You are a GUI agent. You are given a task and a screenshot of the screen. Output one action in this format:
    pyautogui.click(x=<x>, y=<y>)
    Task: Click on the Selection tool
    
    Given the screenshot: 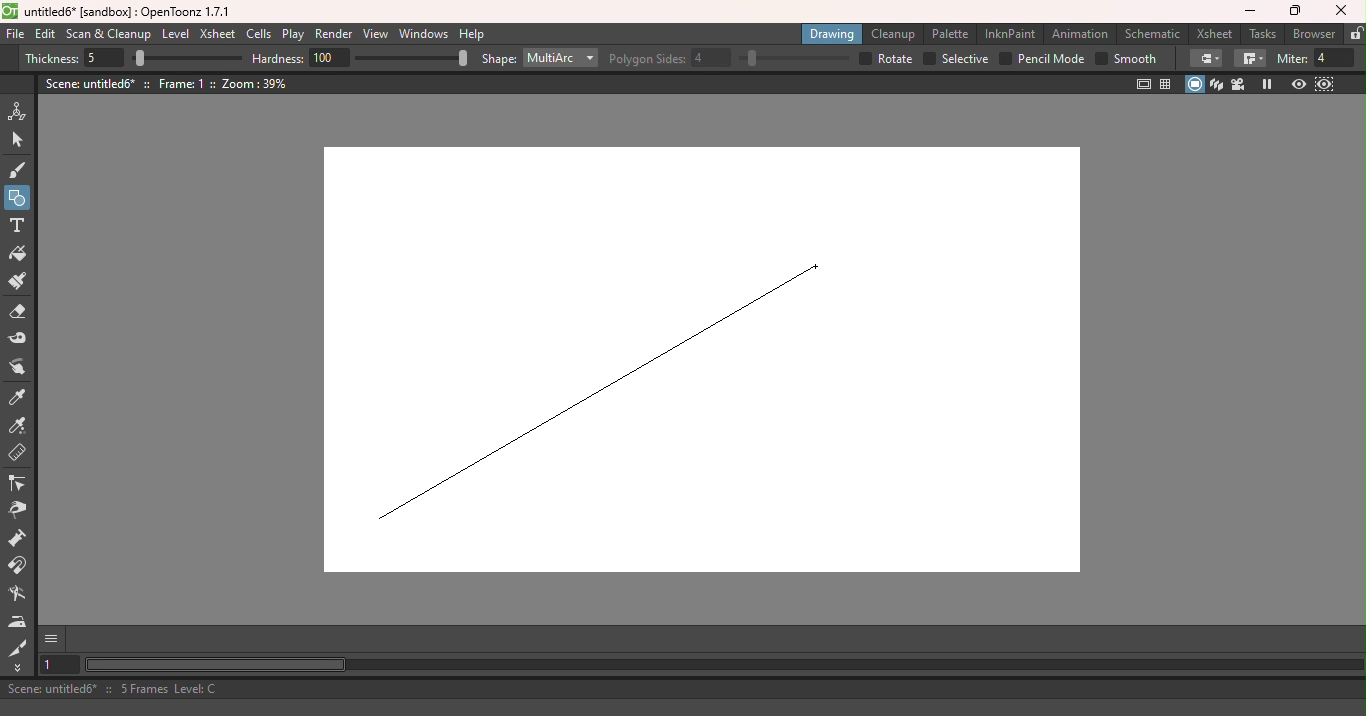 What is the action you would take?
    pyautogui.click(x=23, y=141)
    